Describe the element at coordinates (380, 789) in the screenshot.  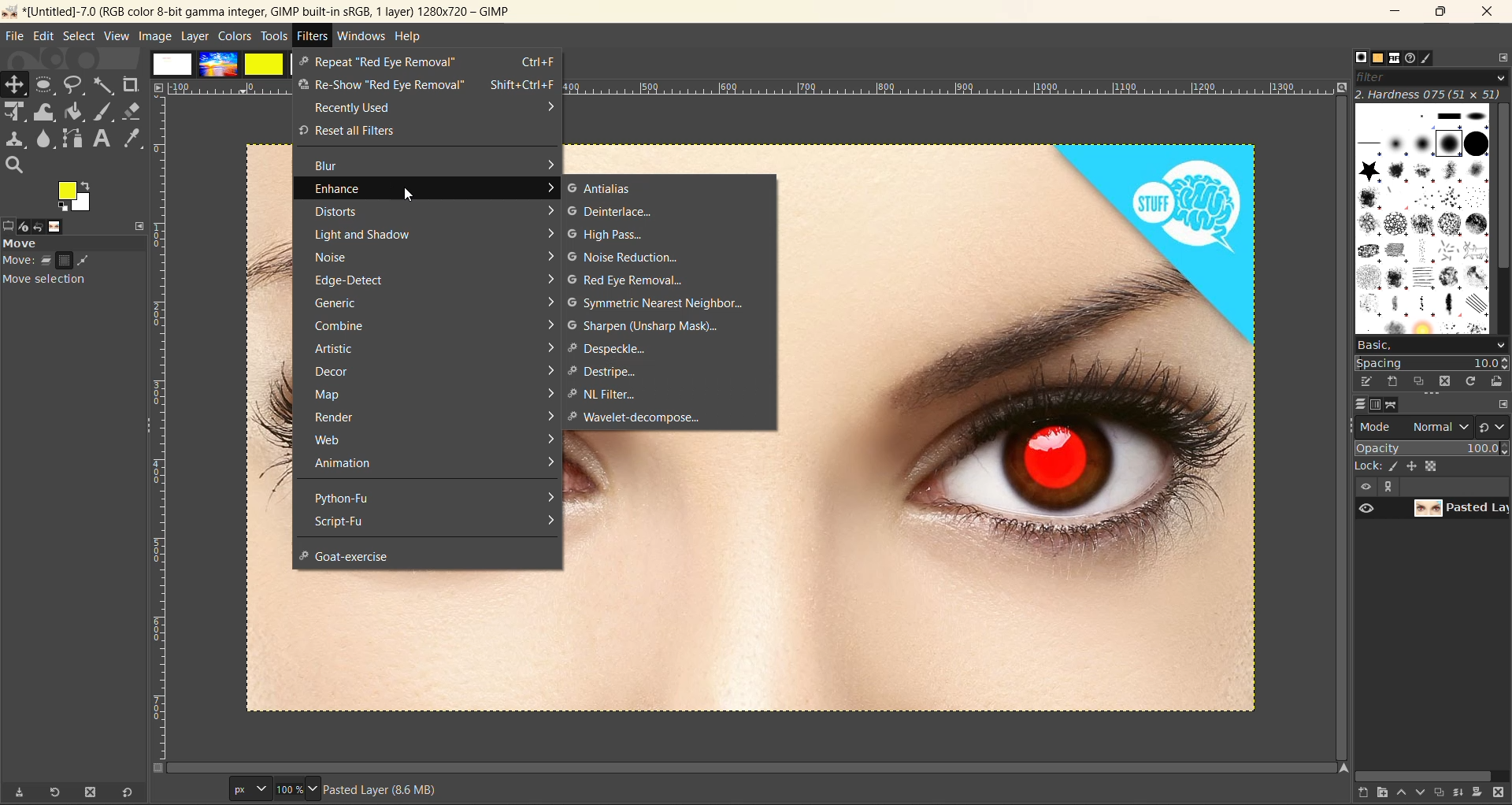
I see `metadata` at that location.